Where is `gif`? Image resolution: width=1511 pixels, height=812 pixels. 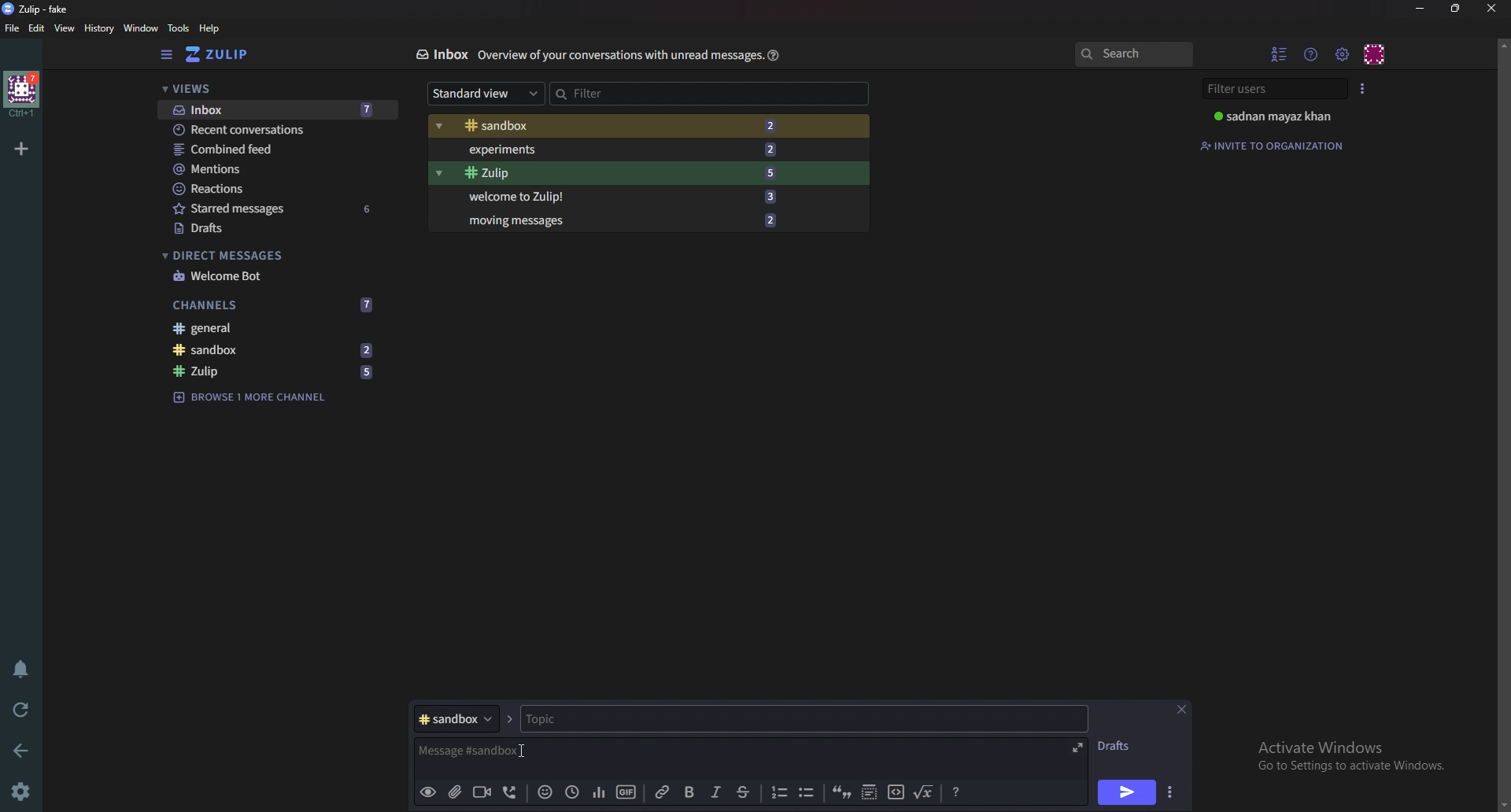 gif is located at coordinates (625, 790).